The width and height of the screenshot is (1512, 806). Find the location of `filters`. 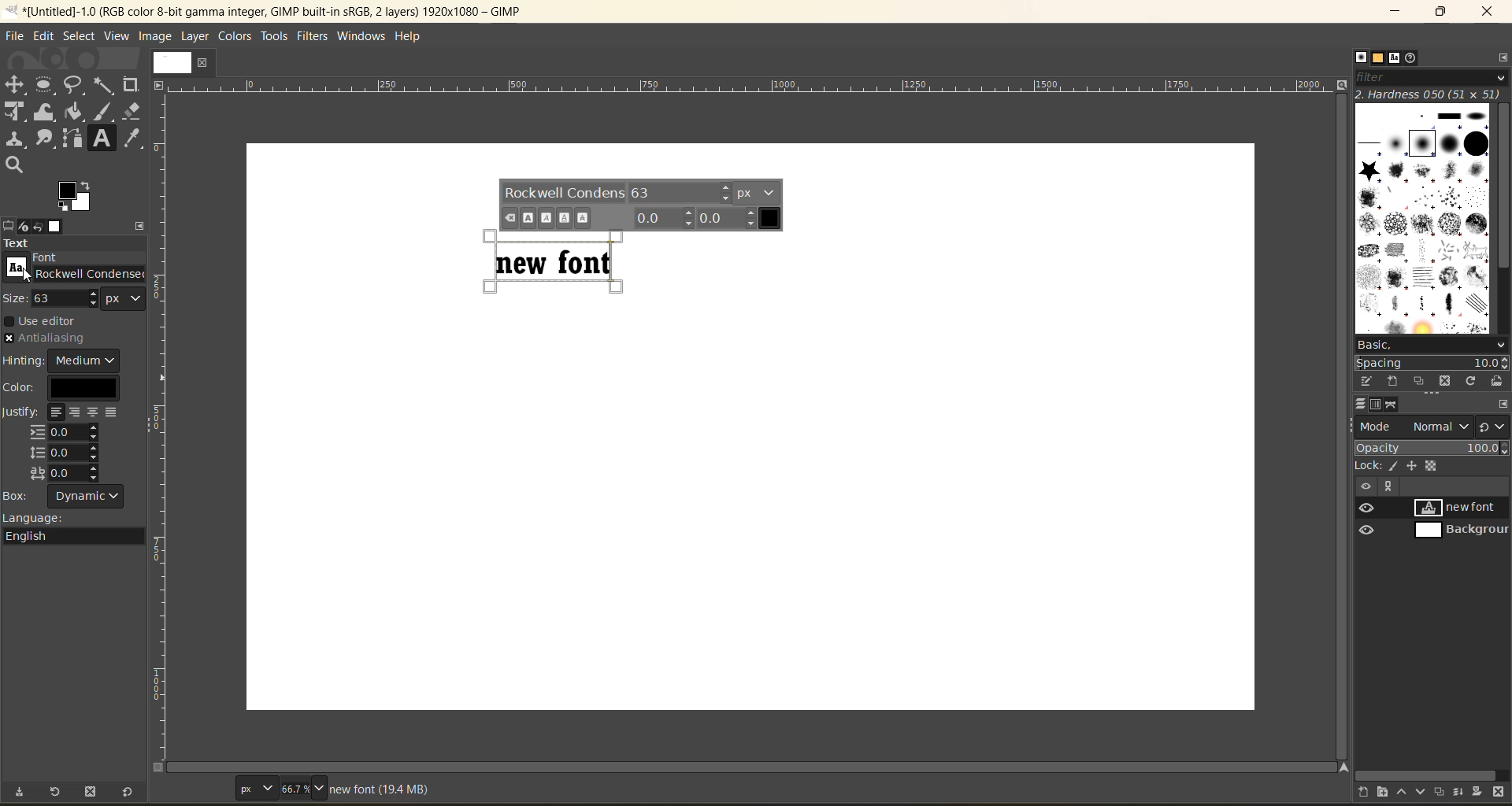

filters is located at coordinates (317, 37).